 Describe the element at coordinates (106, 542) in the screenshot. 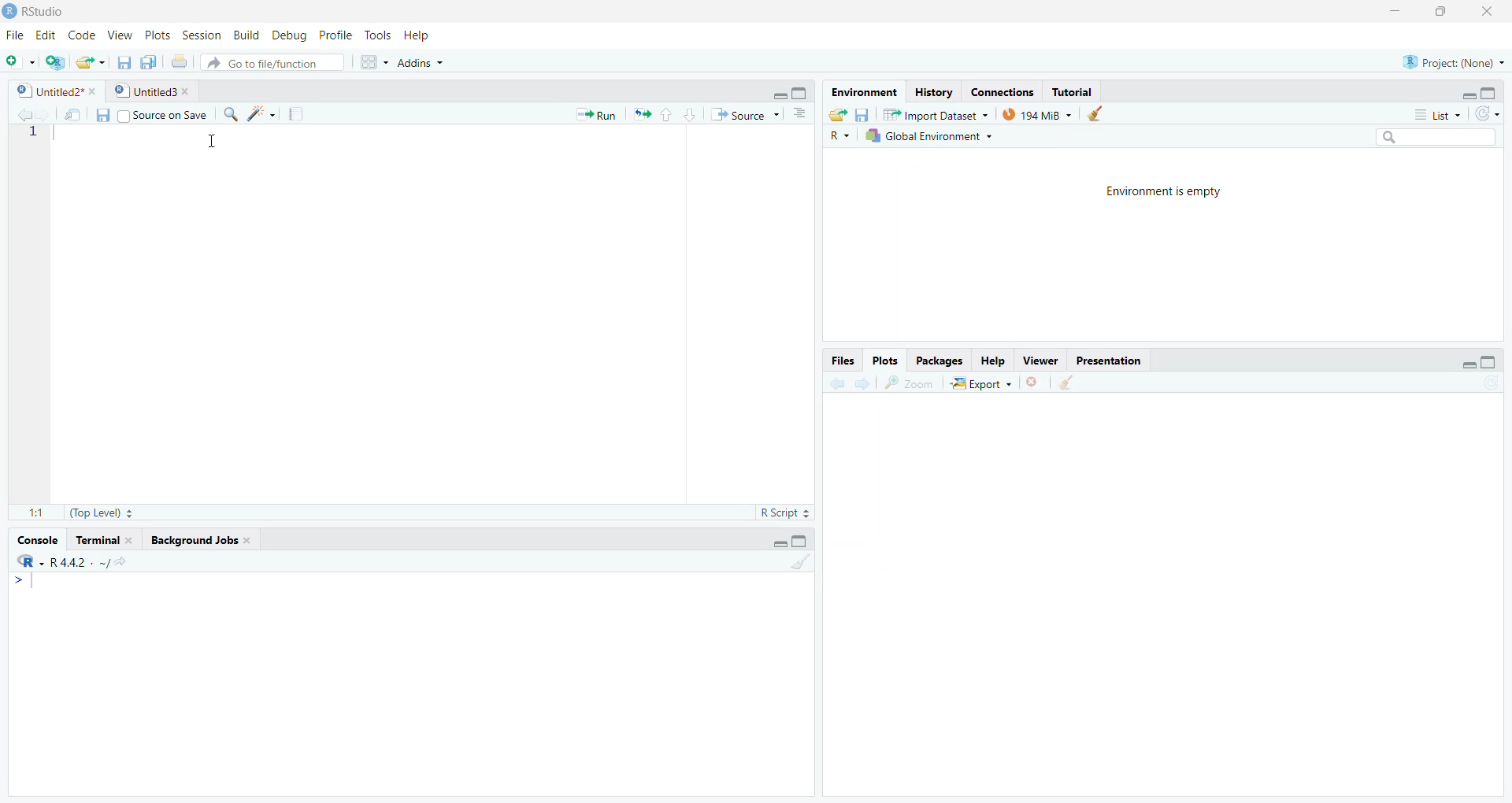

I see `Terminal` at that location.